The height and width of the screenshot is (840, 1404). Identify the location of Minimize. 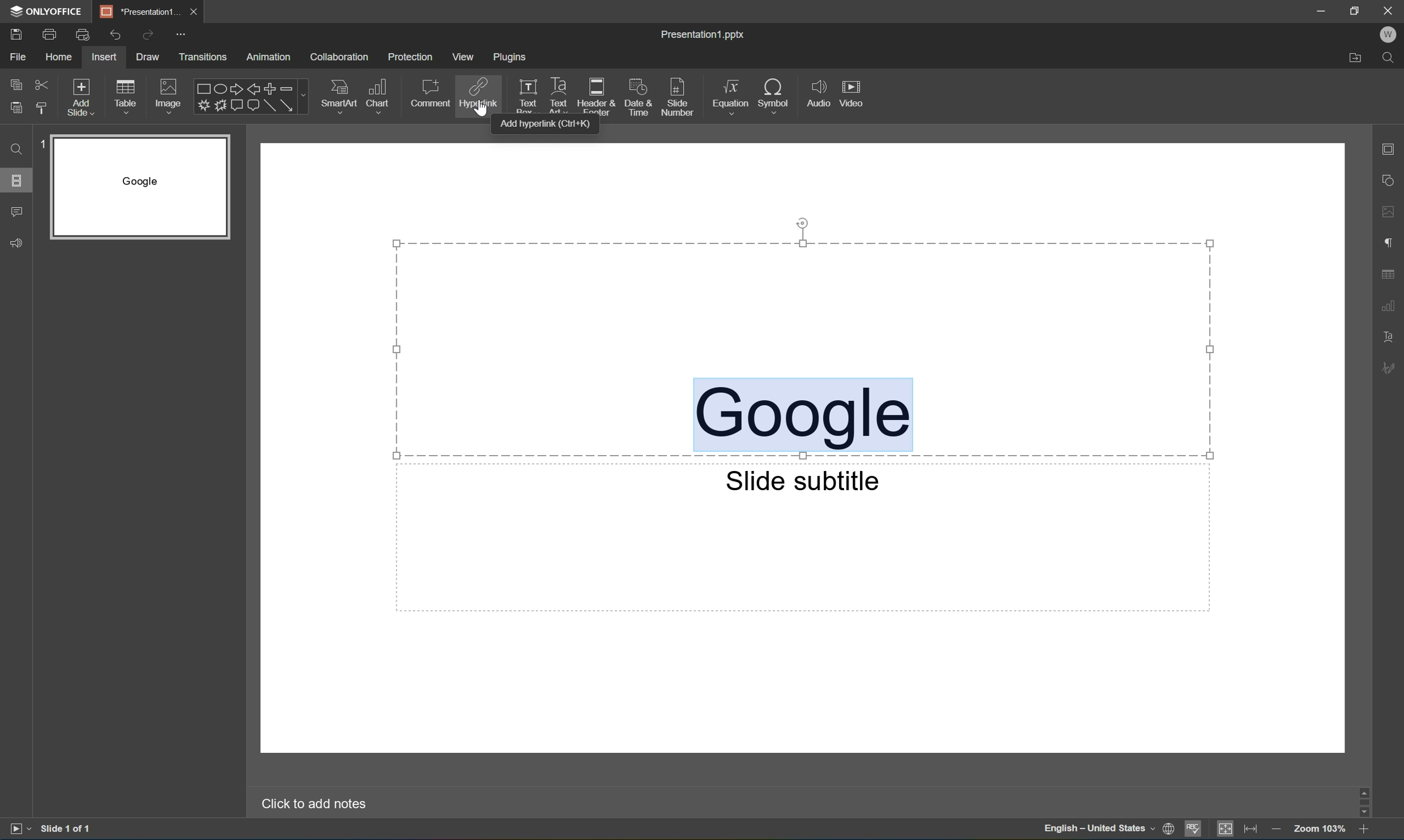
(1322, 8).